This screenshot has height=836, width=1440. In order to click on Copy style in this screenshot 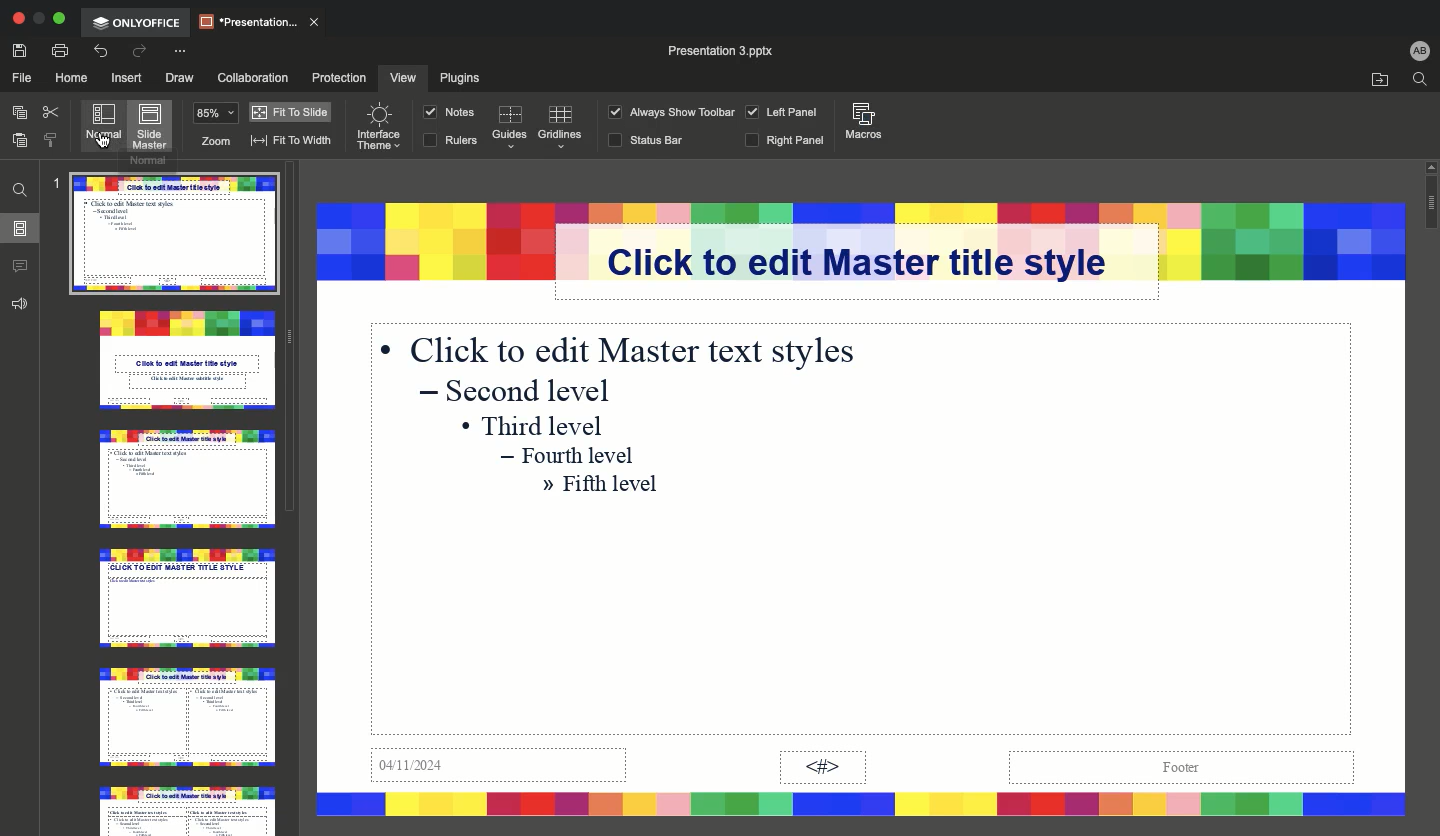, I will do `click(50, 142)`.